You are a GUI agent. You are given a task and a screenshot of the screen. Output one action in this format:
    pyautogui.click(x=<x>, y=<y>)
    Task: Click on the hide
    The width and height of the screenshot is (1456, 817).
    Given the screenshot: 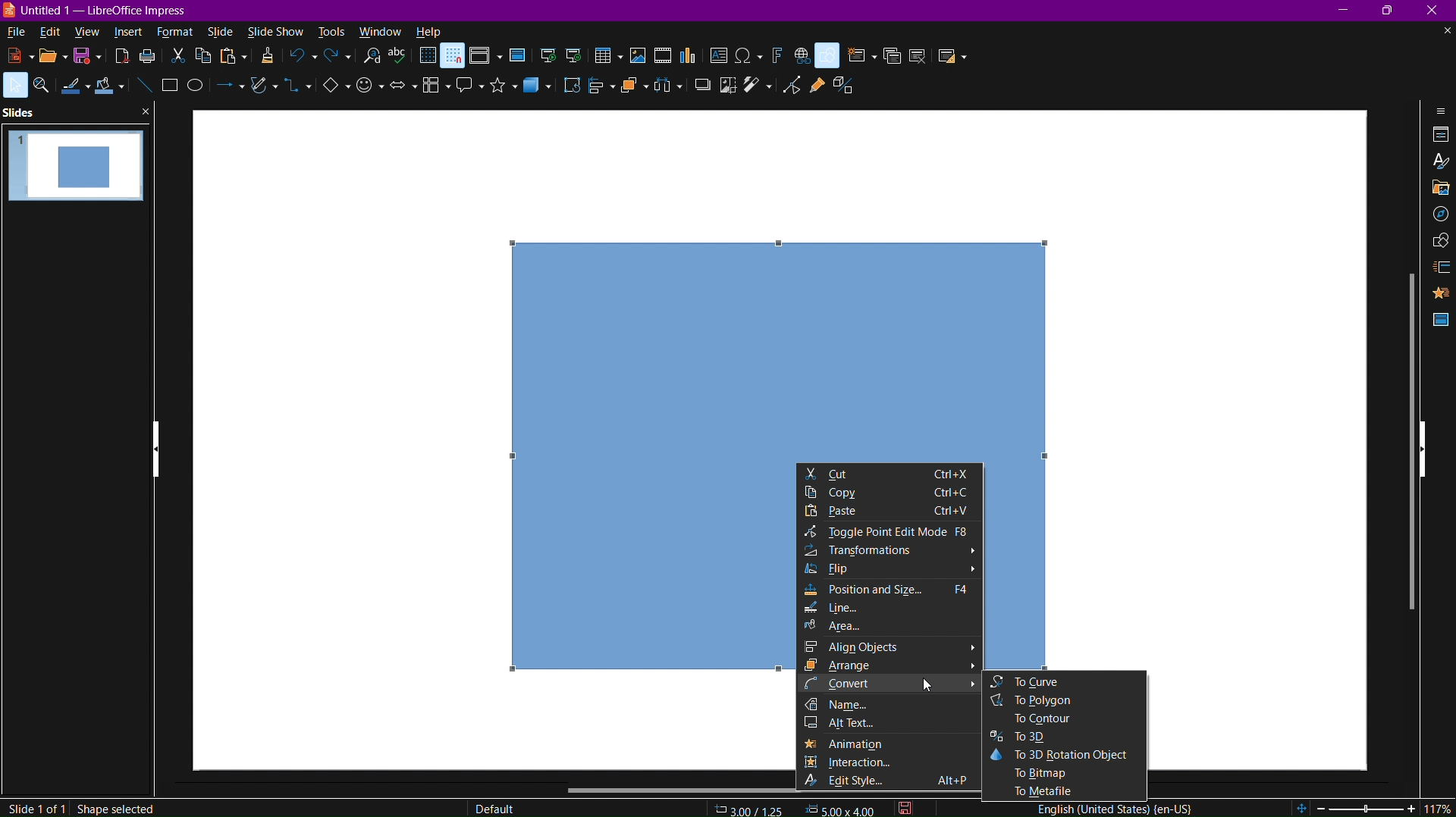 What is the action you would take?
    pyautogui.click(x=1423, y=450)
    